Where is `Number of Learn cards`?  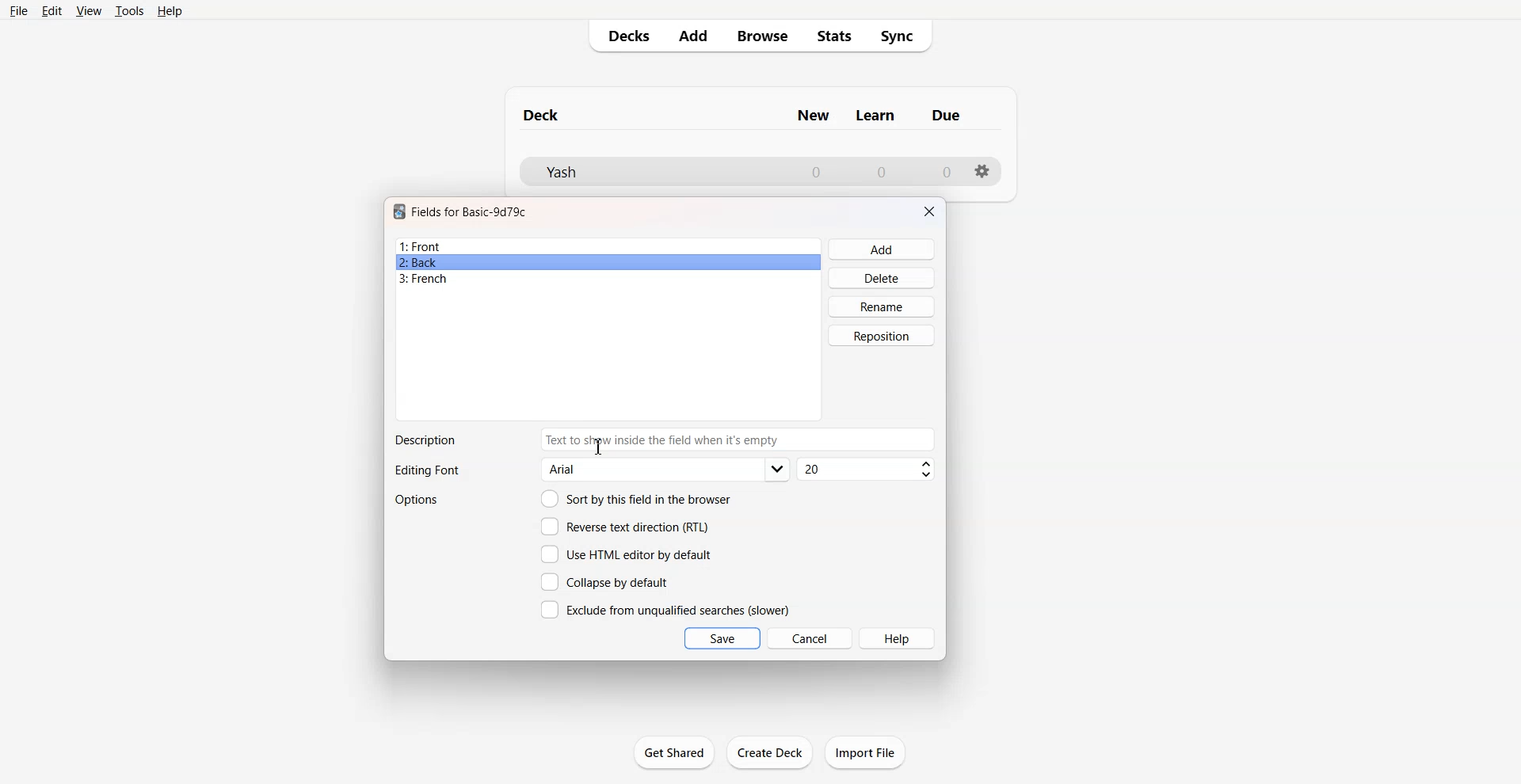
Number of Learn cards is located at coordinates (882, 171).